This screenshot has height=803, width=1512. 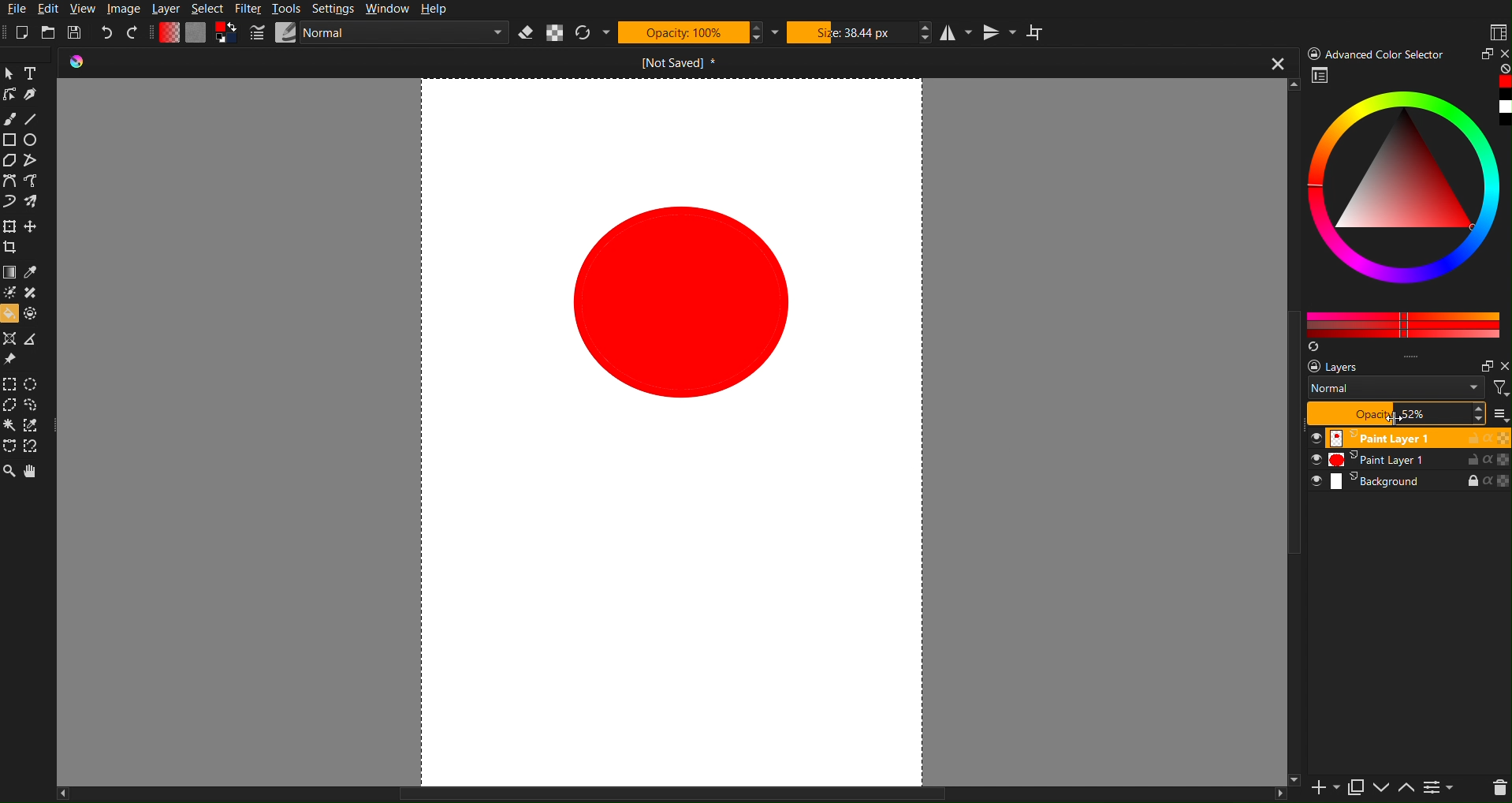 I want to click on Alpha , so click(x=557, y=34).